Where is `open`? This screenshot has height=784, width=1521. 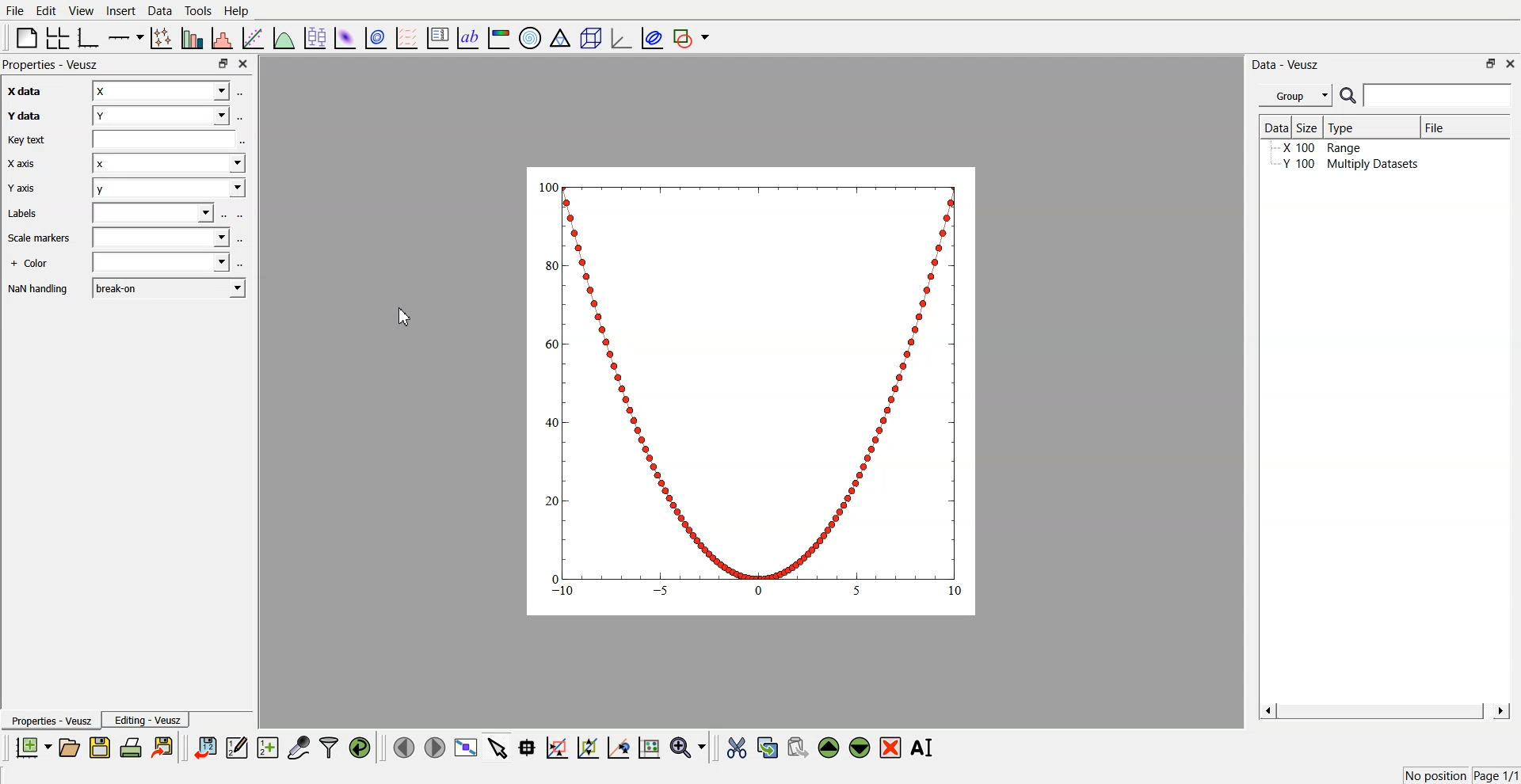
open is located at coordinates (69, 748).